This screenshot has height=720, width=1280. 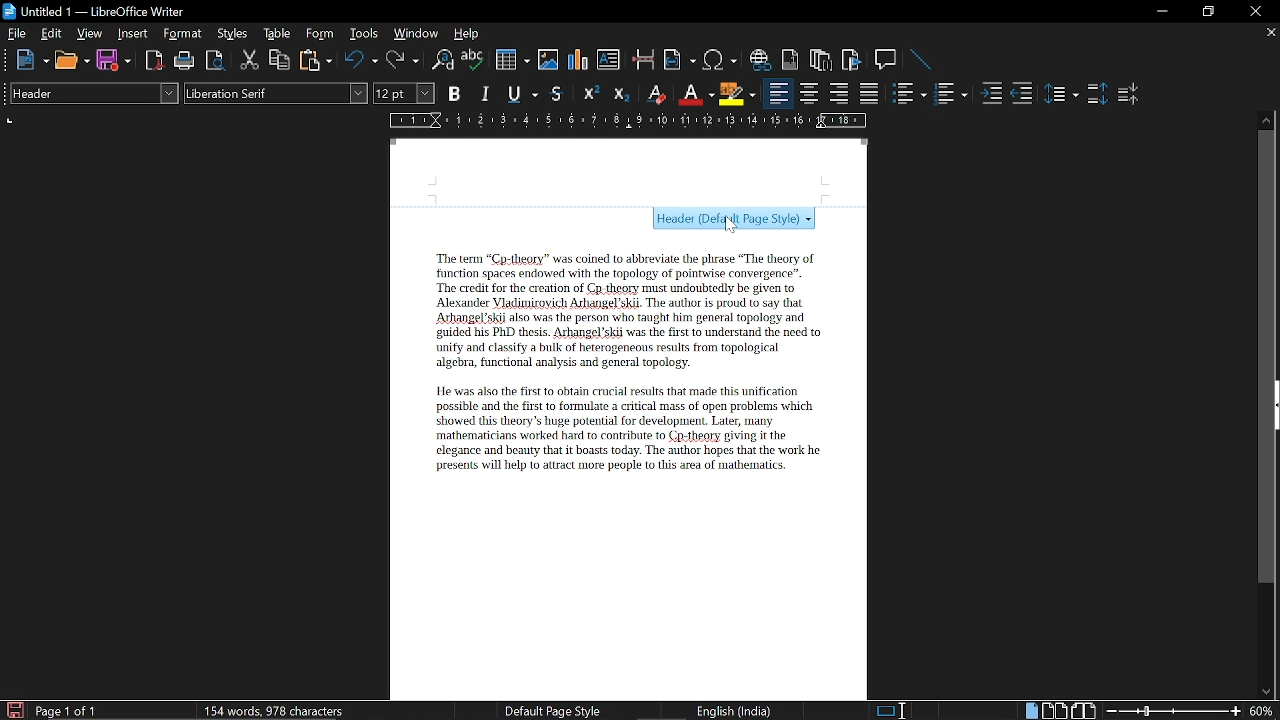 What do you see at coordinates (364, 34) in the screenshot?
I see `Tools` at bounding box center [364, 34].